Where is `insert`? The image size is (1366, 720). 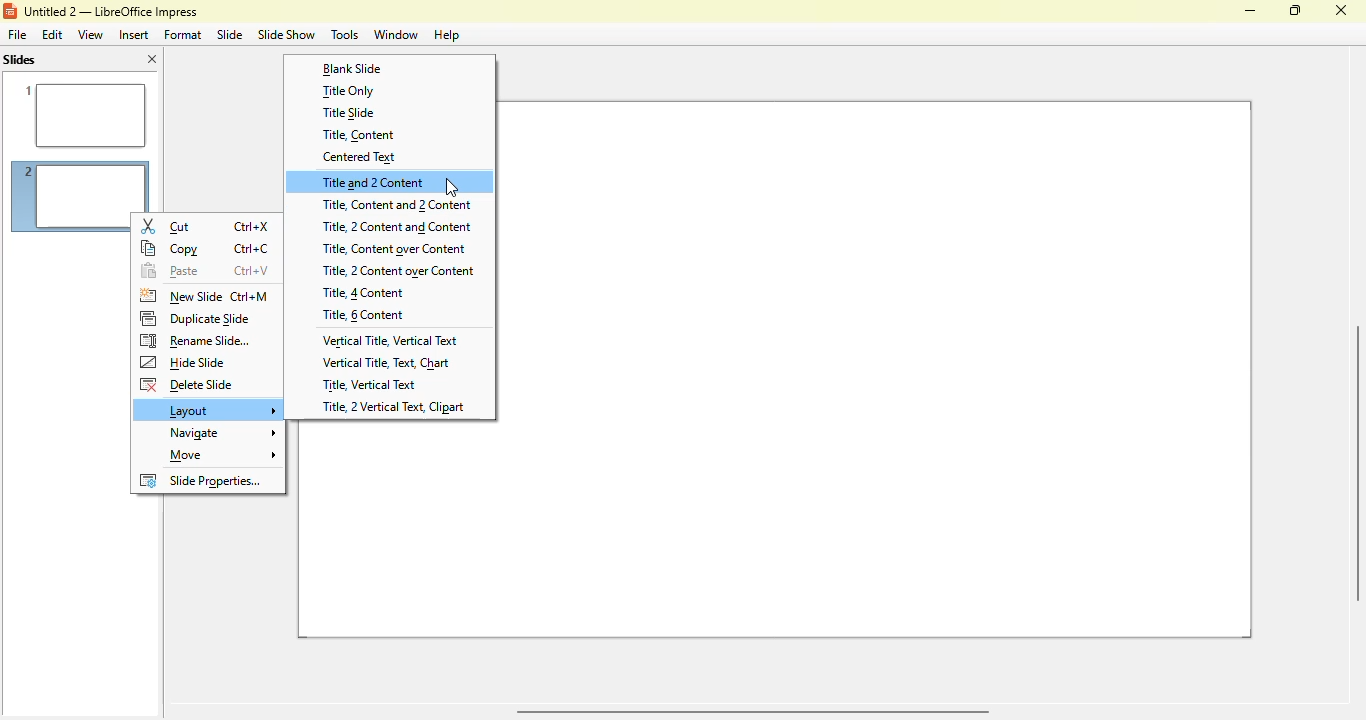 insert is located at coordinates (133, 35).